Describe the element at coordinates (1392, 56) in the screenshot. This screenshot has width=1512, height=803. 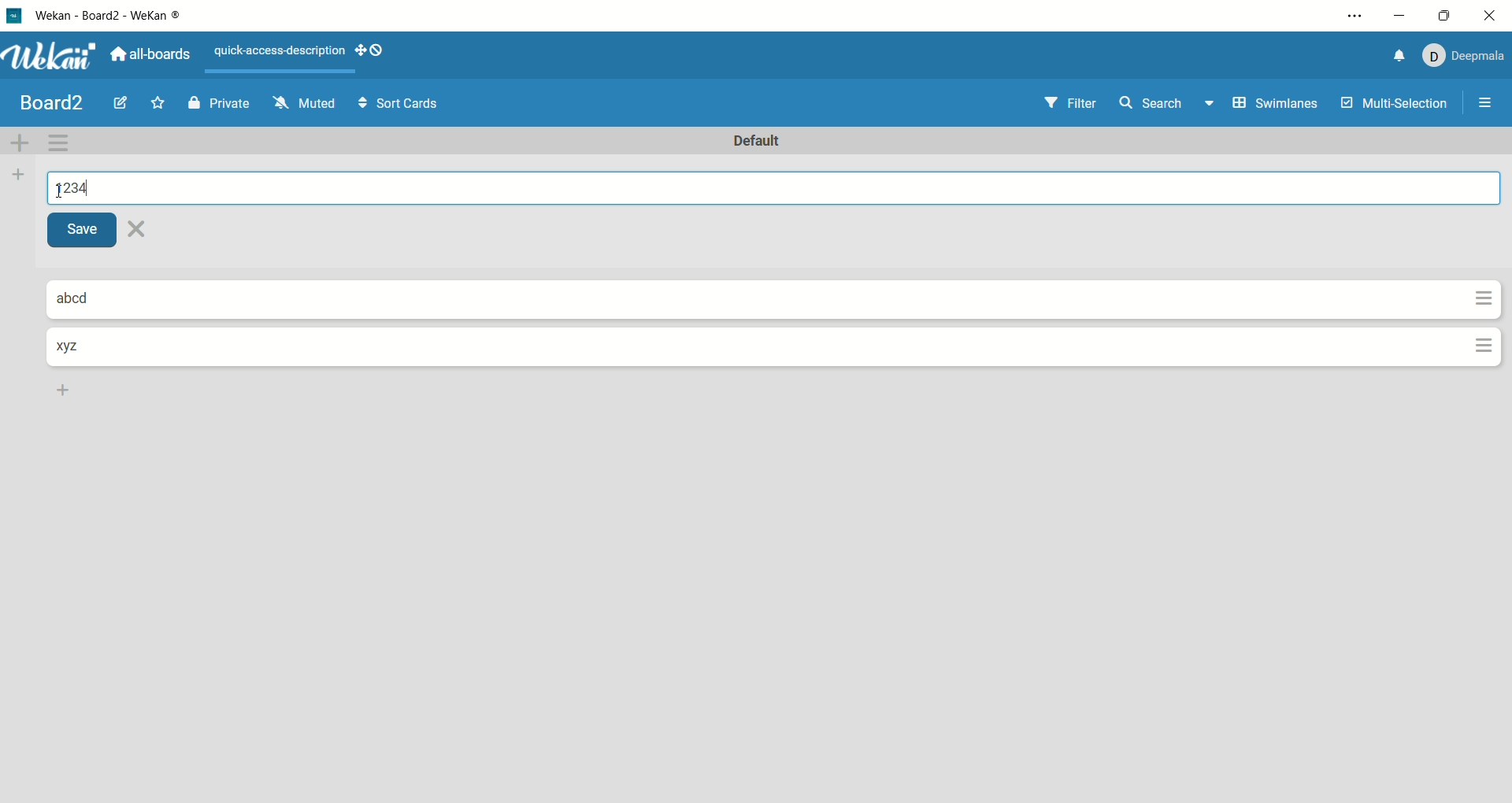
I see `notification` at that location.